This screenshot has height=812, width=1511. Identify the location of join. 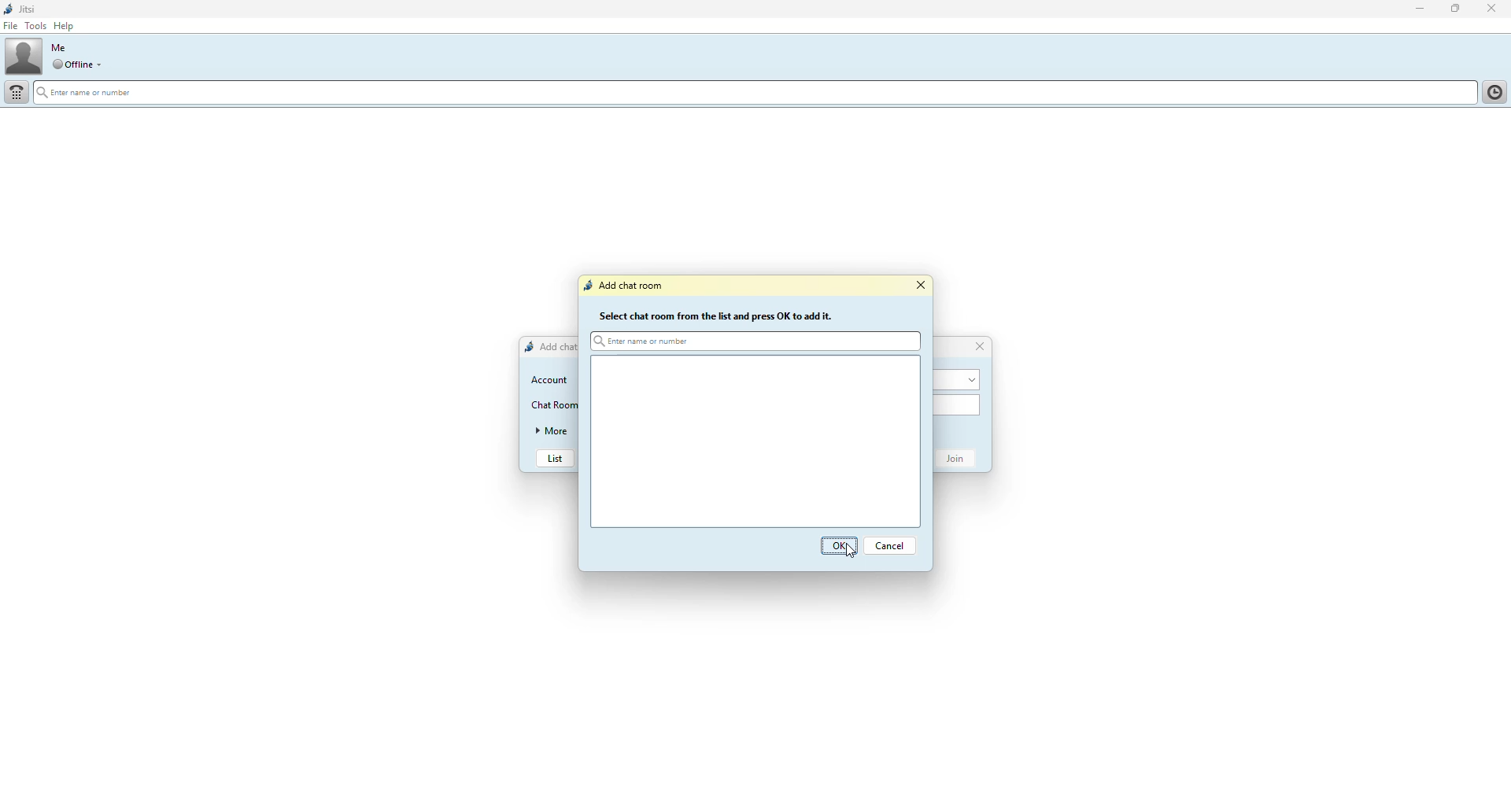
(954, 459).